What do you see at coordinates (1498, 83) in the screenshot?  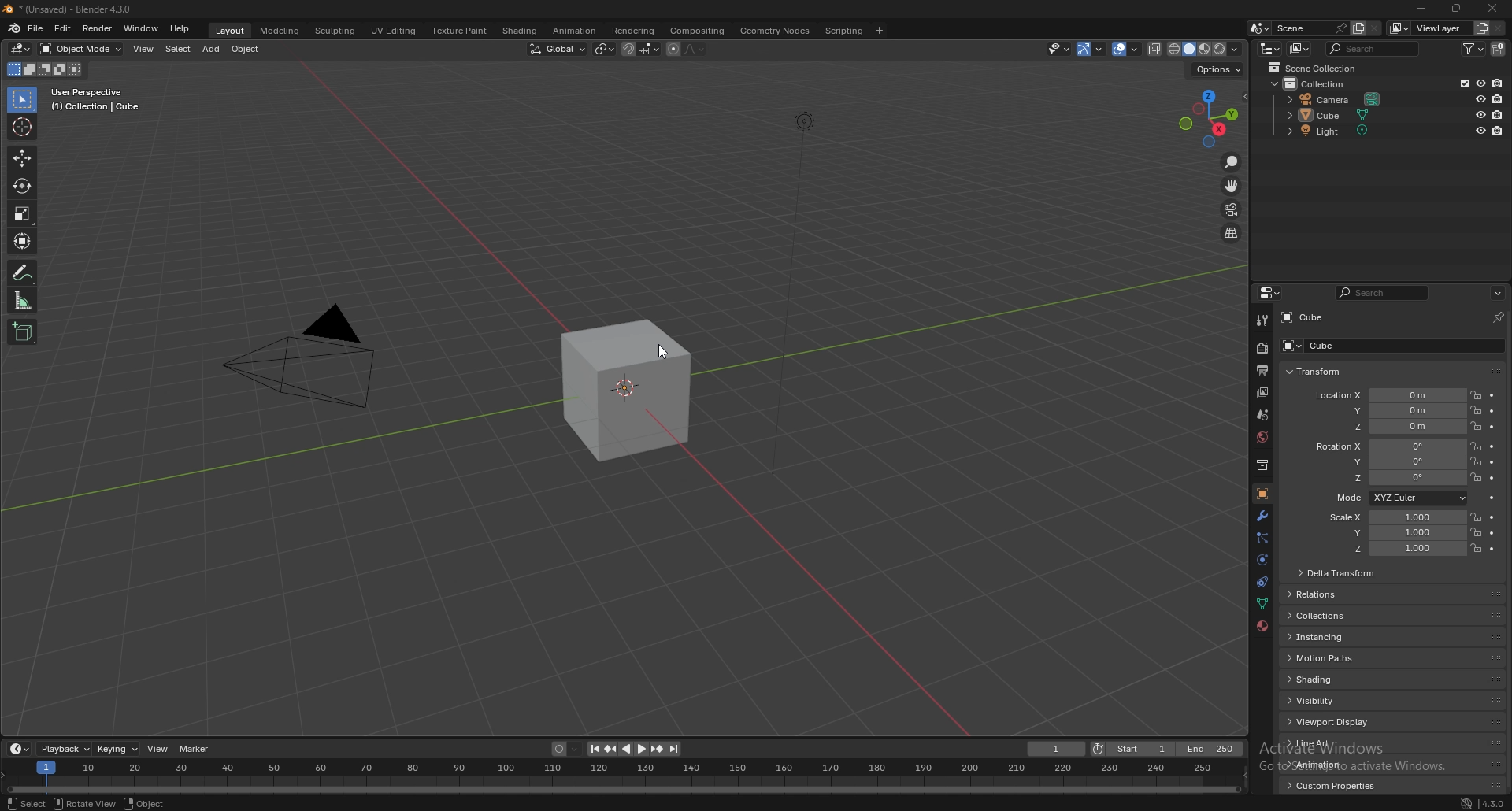 I see `disable in render` at bounding box center [1498, 83].